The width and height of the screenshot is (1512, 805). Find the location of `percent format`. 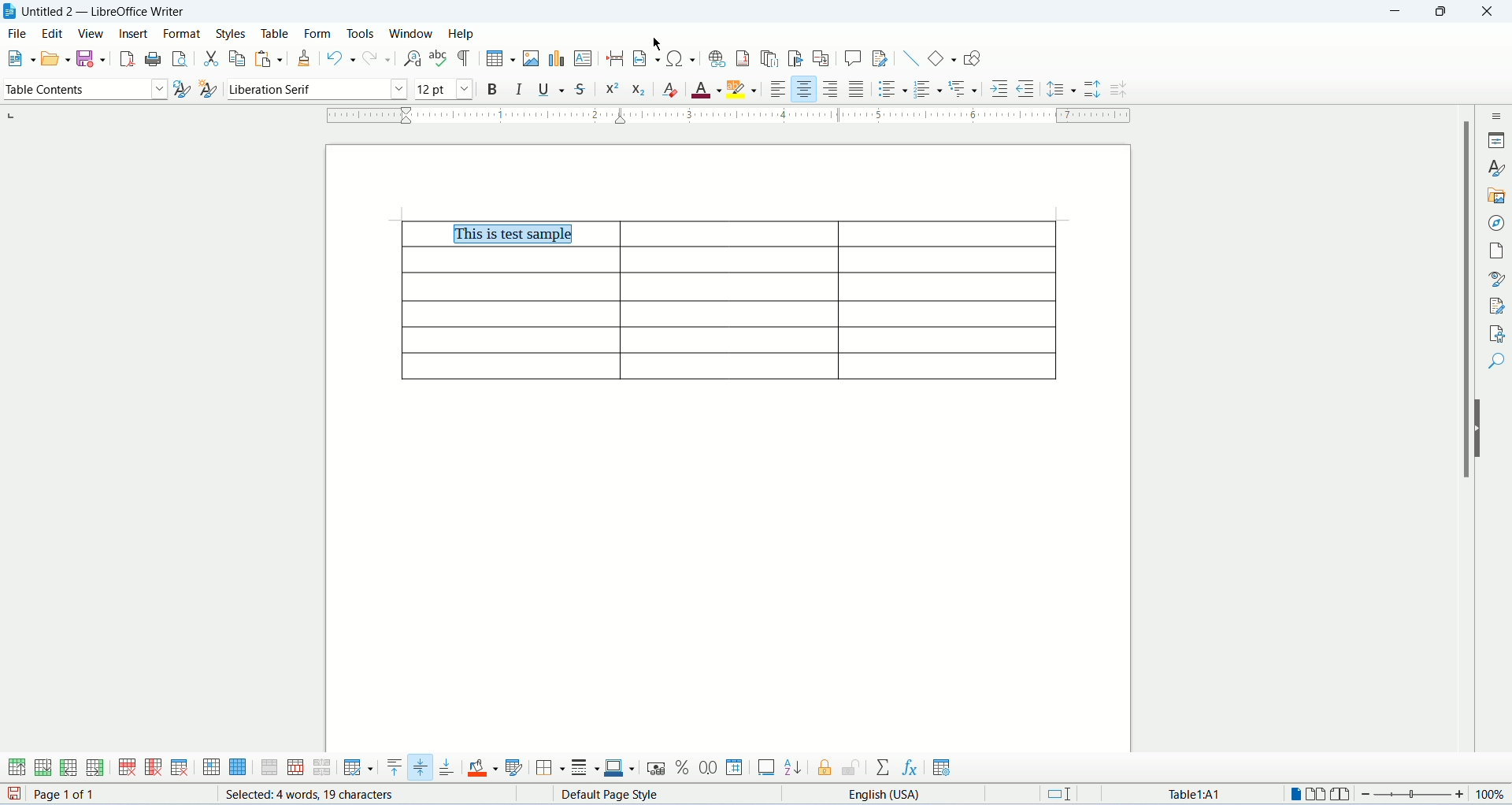

percent format is located at coordinates (685, 767).